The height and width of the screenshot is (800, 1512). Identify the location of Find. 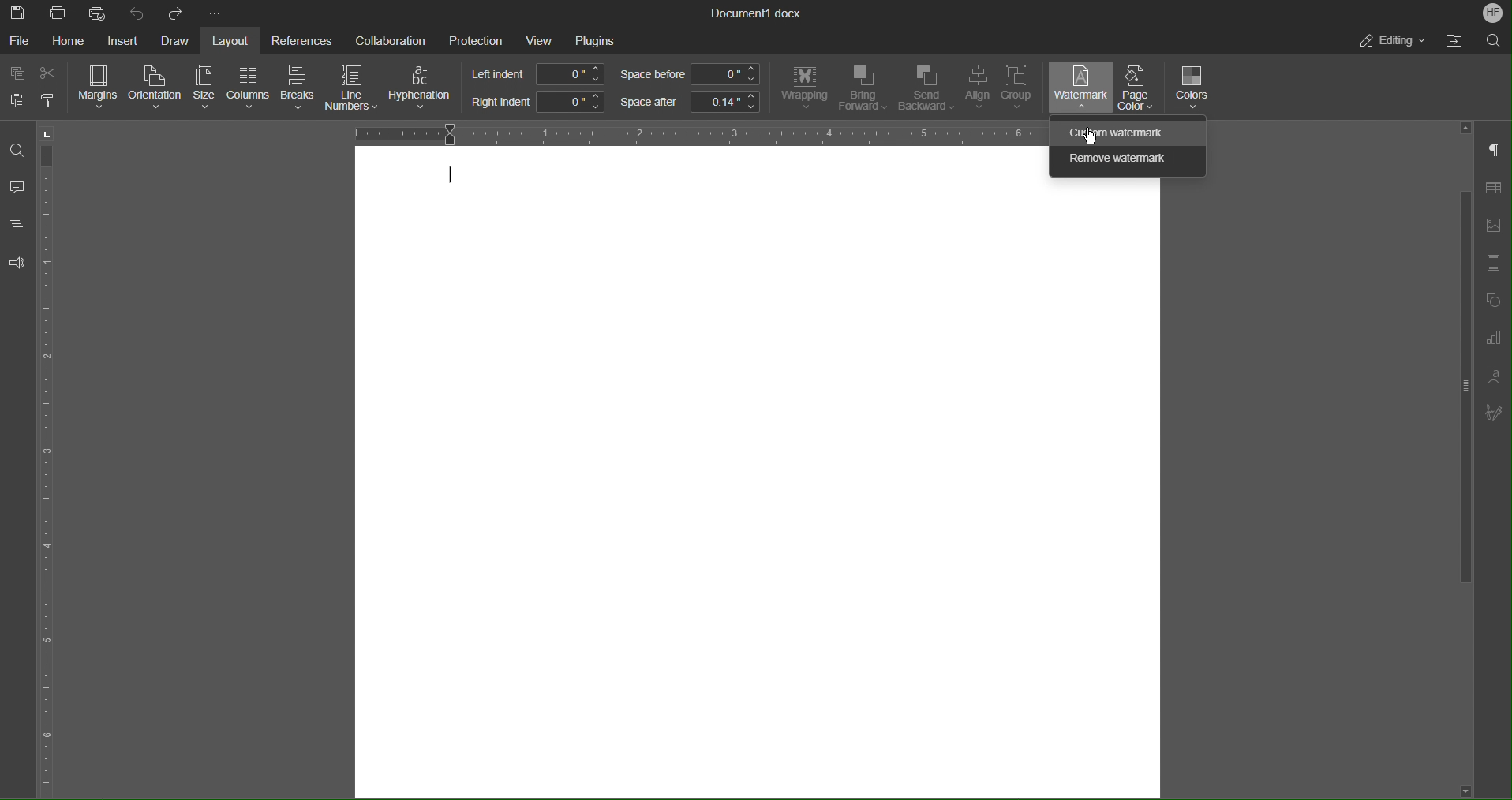
(16, 150).